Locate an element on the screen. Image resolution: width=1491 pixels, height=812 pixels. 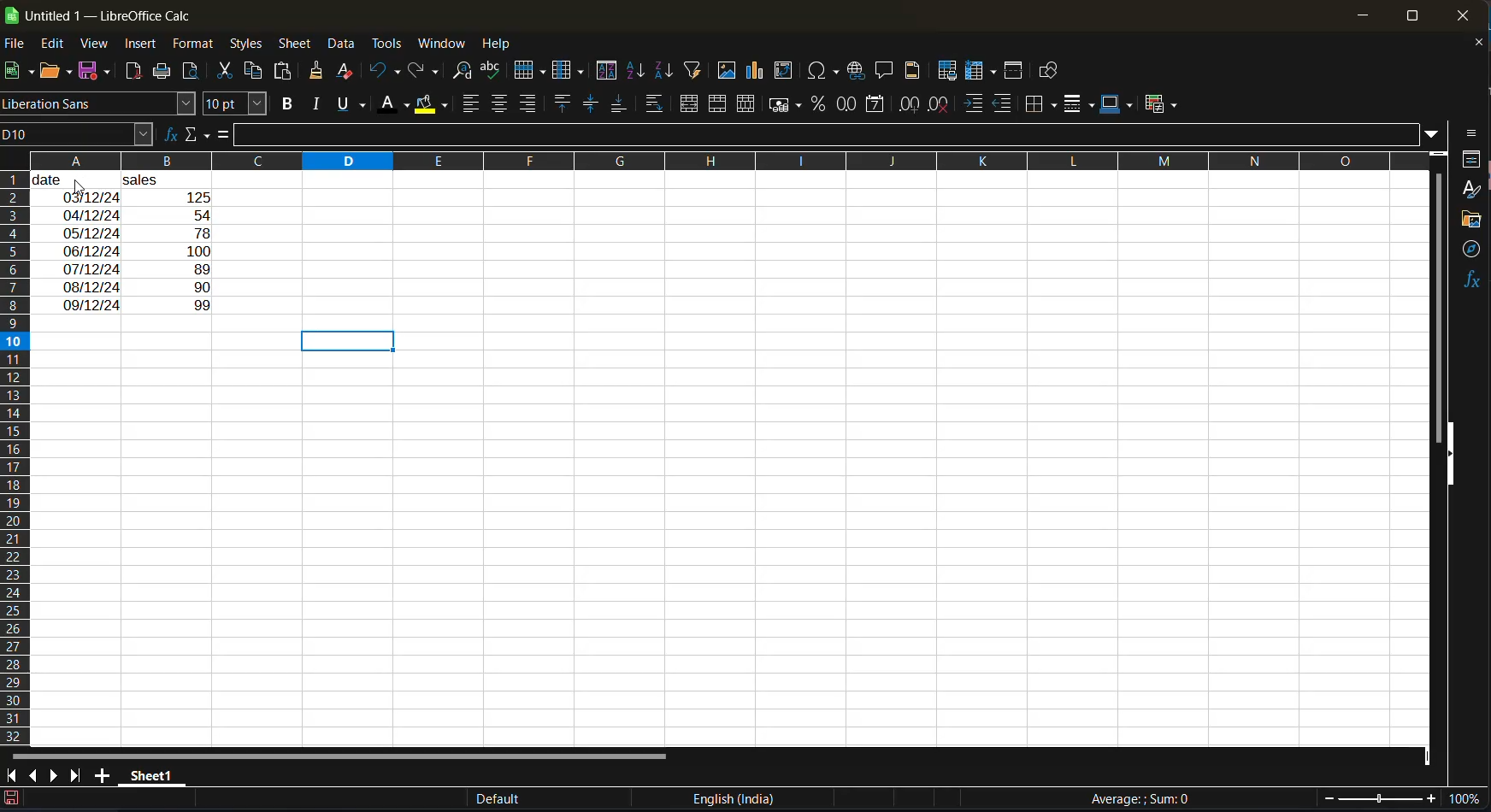
show draw functions is located at coordinates (1052, 74).